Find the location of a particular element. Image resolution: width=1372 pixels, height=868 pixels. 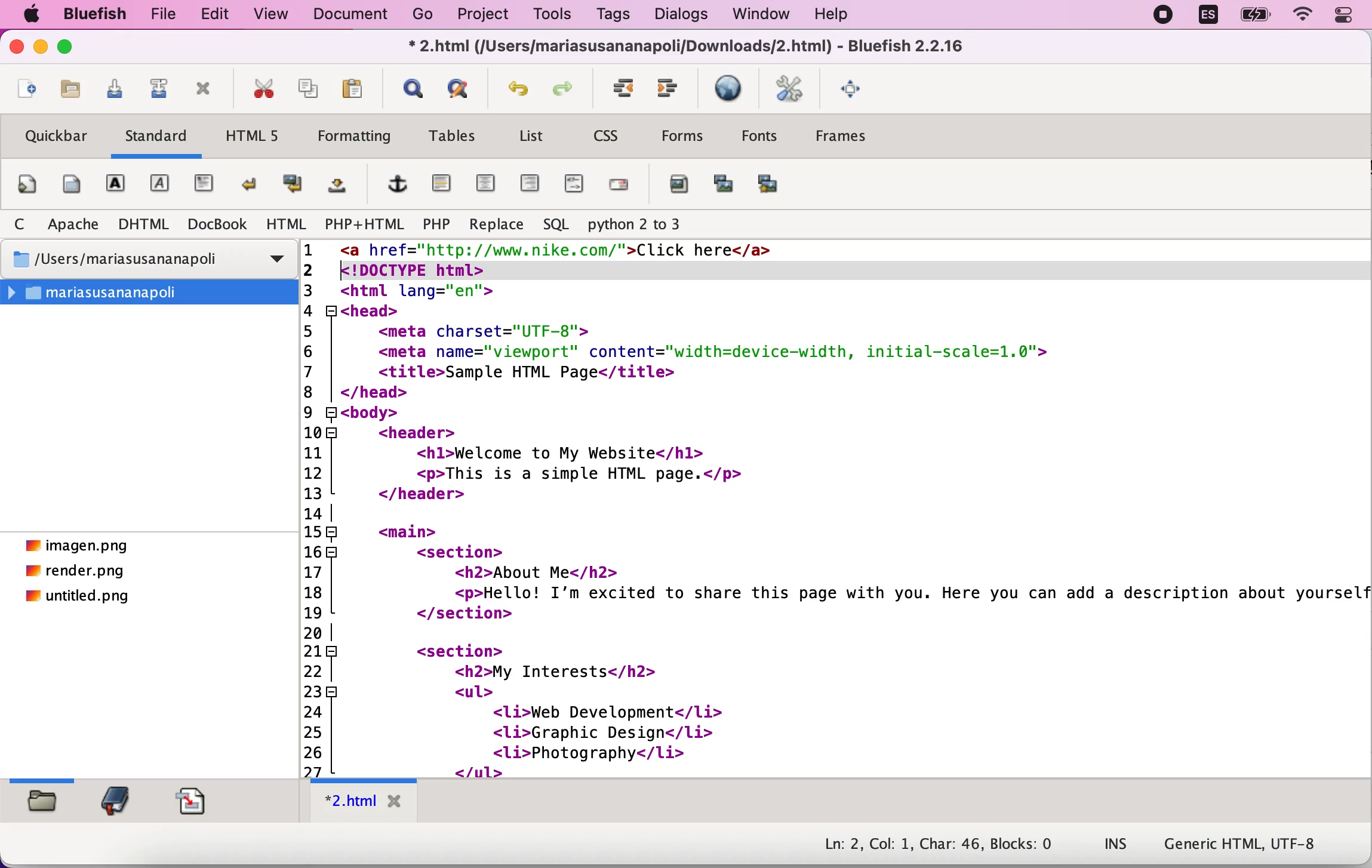

add hyperlink is located at coordinates (398, 187).